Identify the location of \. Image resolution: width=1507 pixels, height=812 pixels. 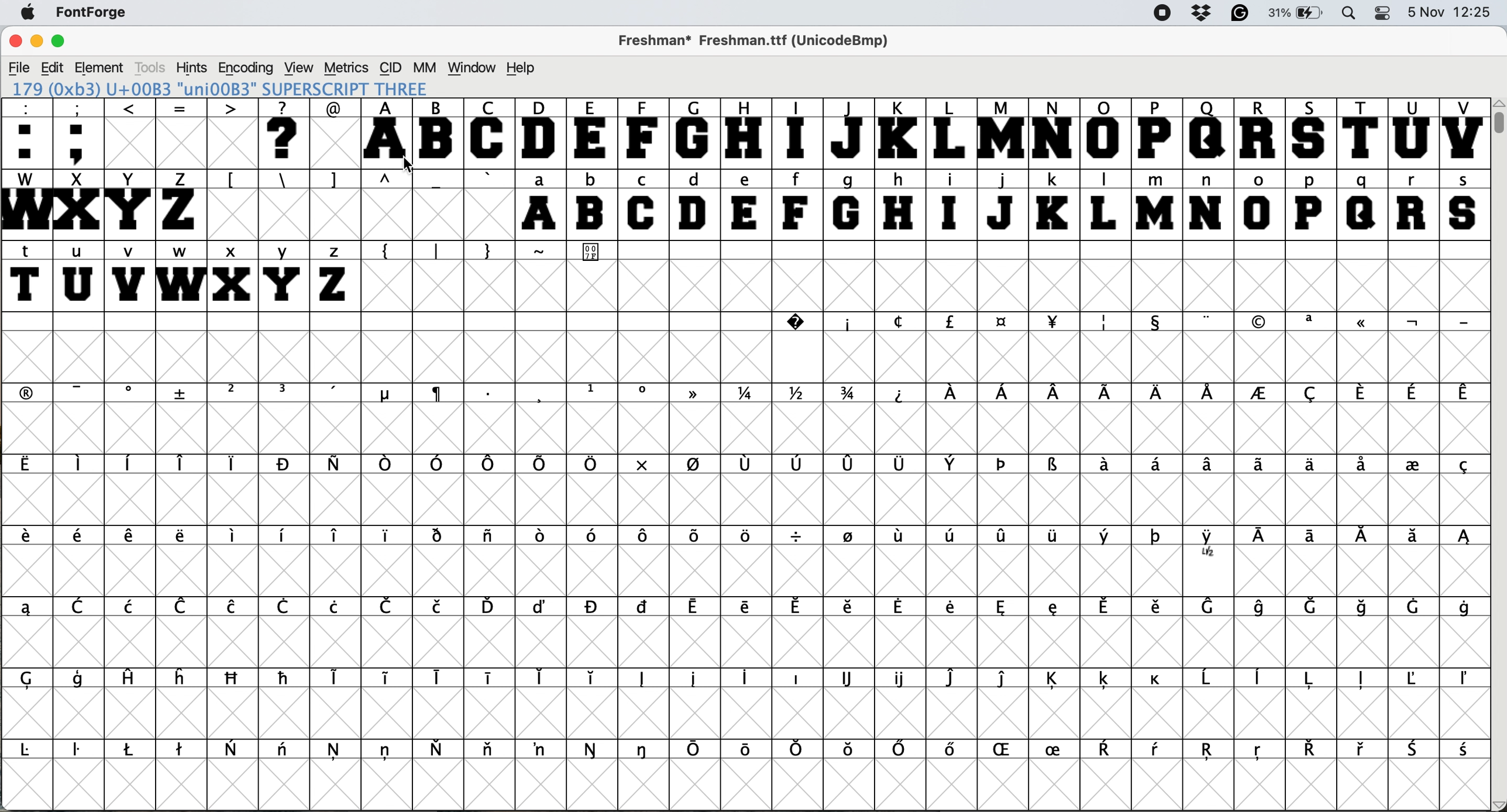
(283, 180).